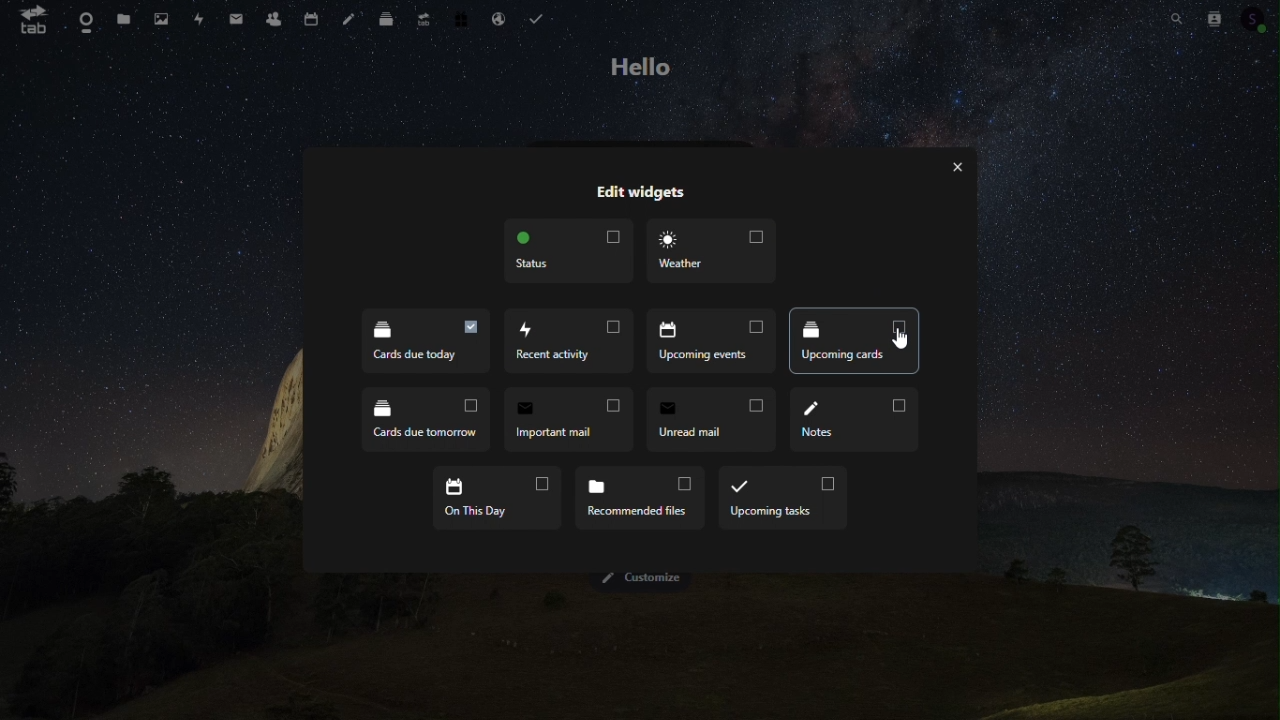  What do you see at coordinates (200, 19) in the screenshot?
I see `Activity` at bounding box center [200, 19].